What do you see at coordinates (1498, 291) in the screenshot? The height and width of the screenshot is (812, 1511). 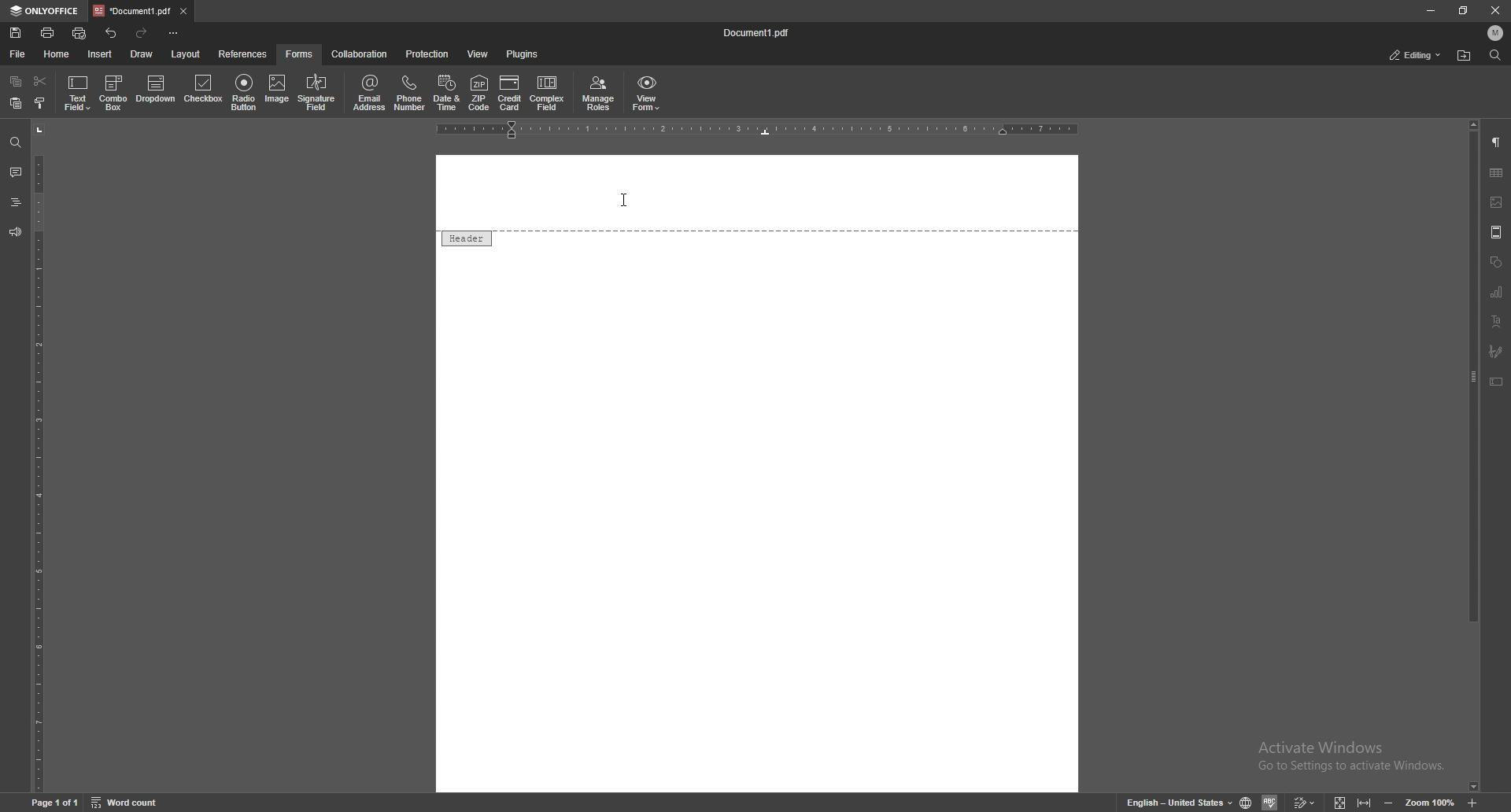 I see `chart` at bounding box center [1498, 291].